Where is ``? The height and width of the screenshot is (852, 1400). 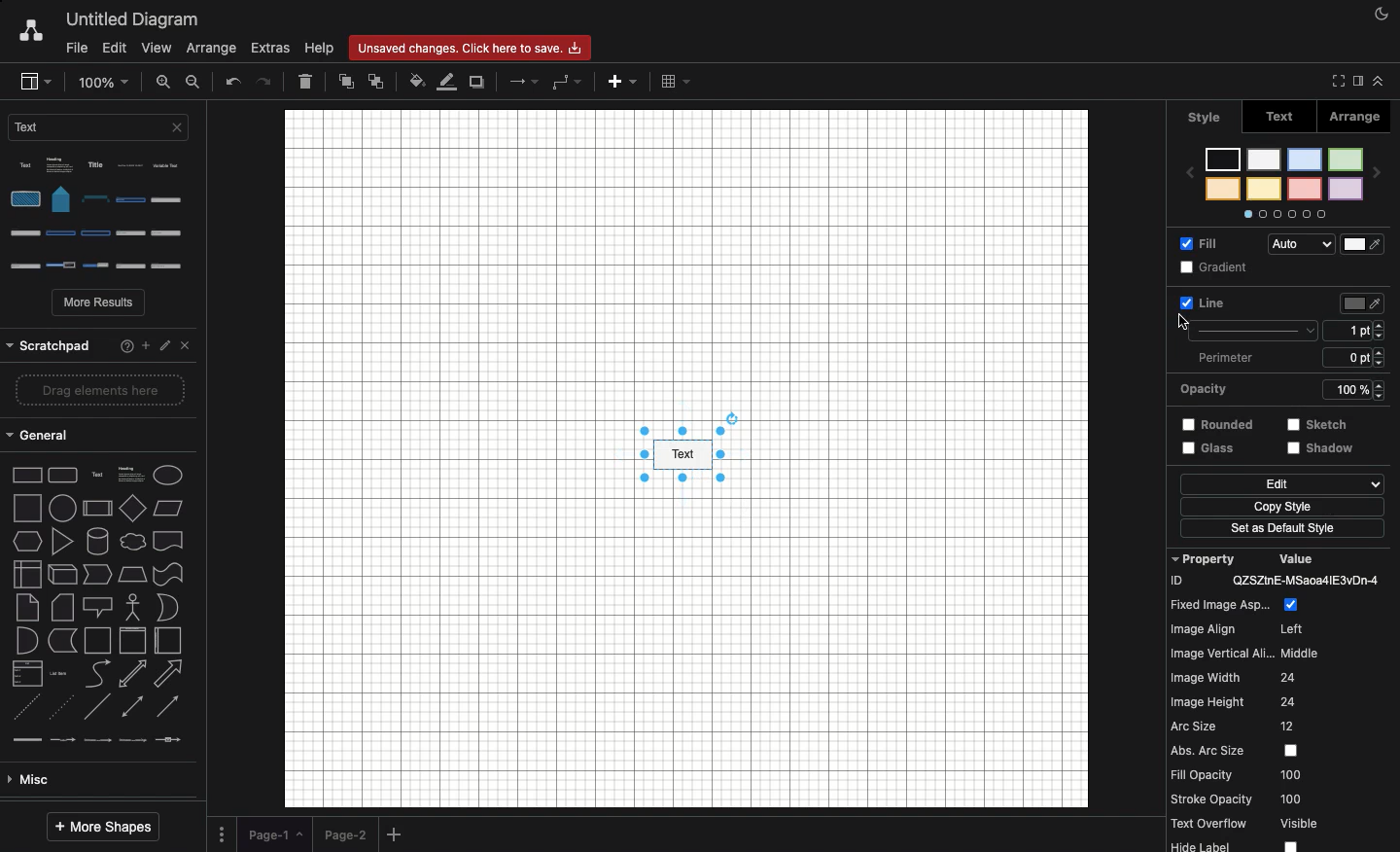
 is located at coordinates (1278, 531).